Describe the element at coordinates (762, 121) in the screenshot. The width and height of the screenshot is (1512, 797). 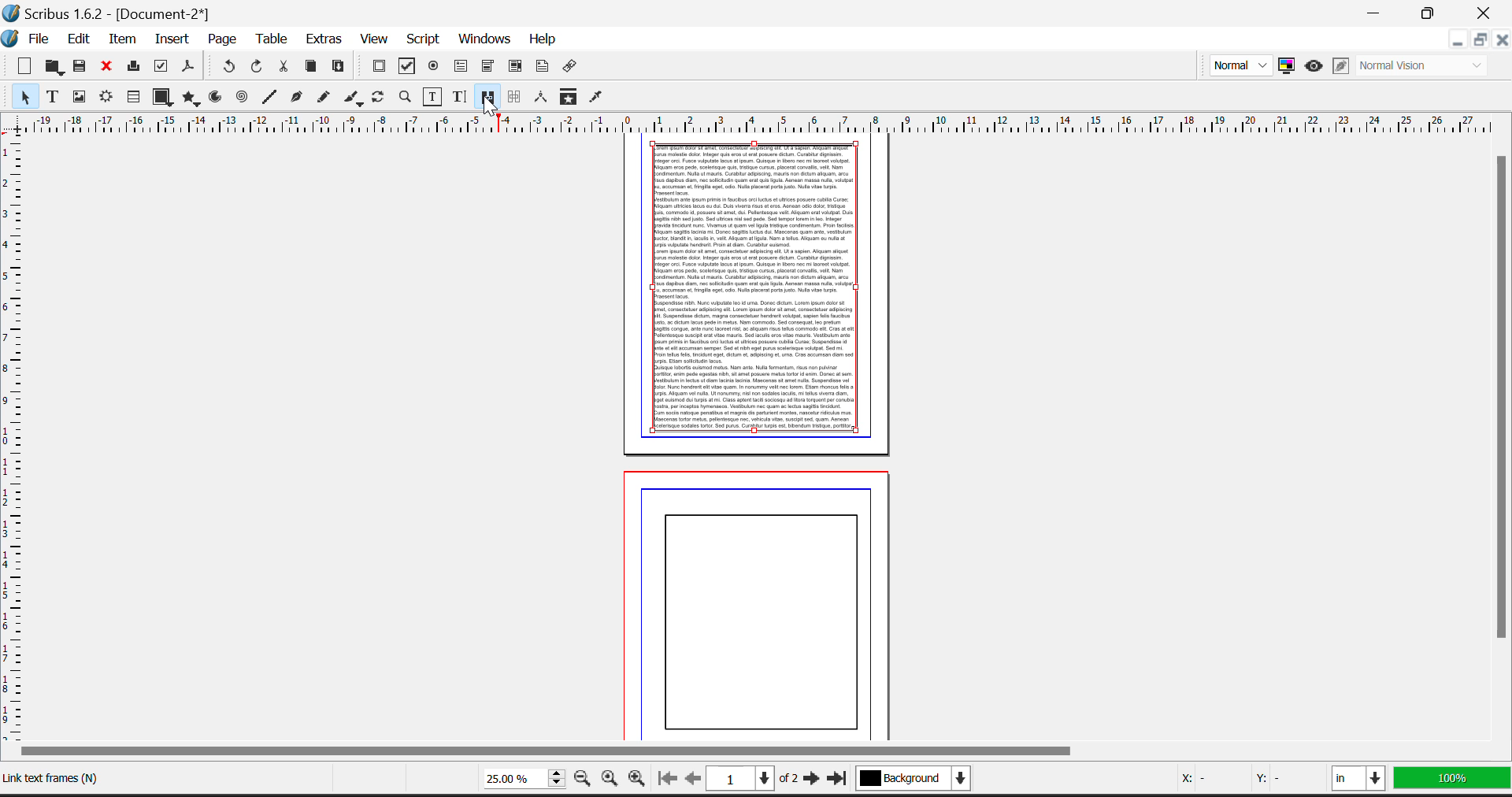
I see `Vertical Page Margins` at that location.